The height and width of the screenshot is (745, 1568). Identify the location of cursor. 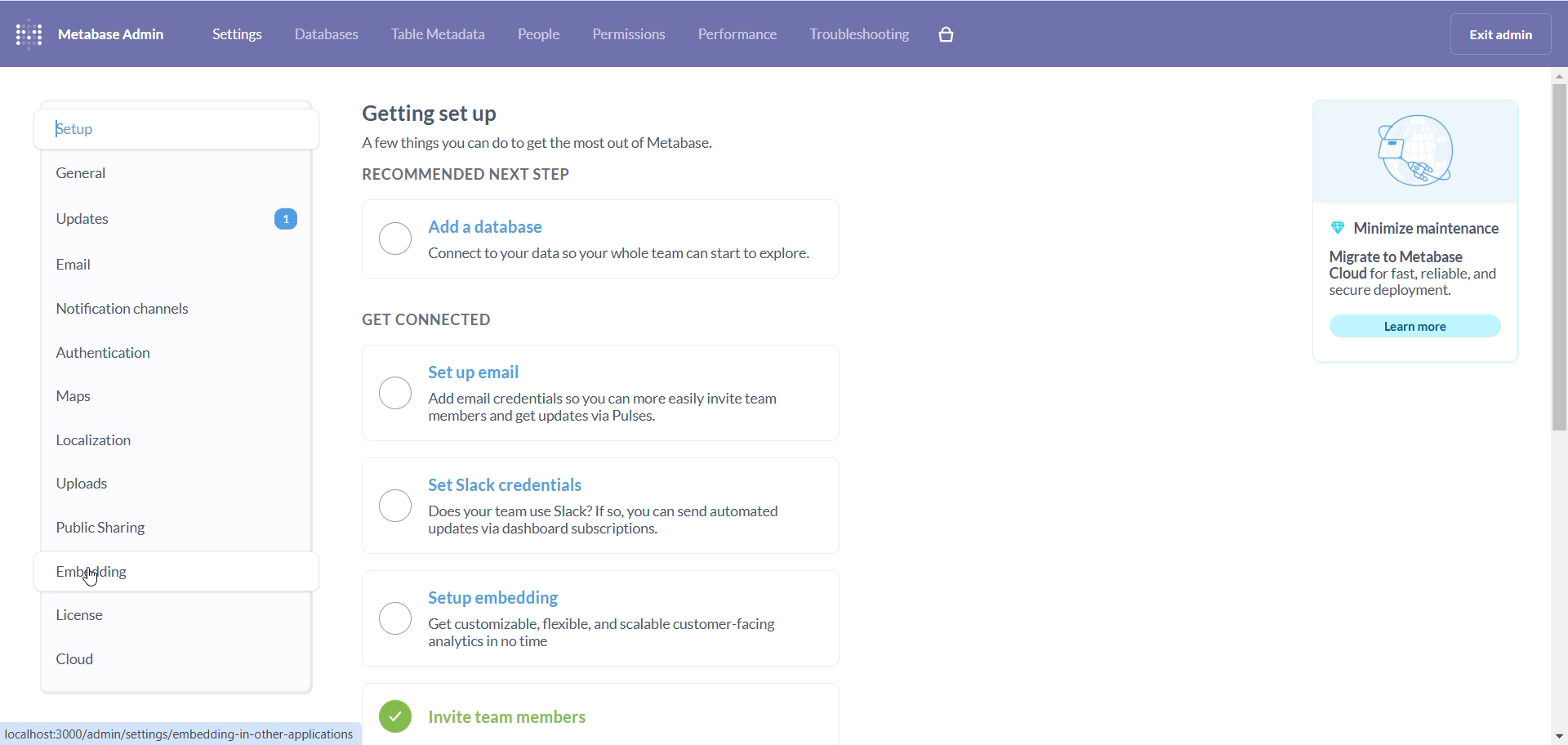
(91, 578).